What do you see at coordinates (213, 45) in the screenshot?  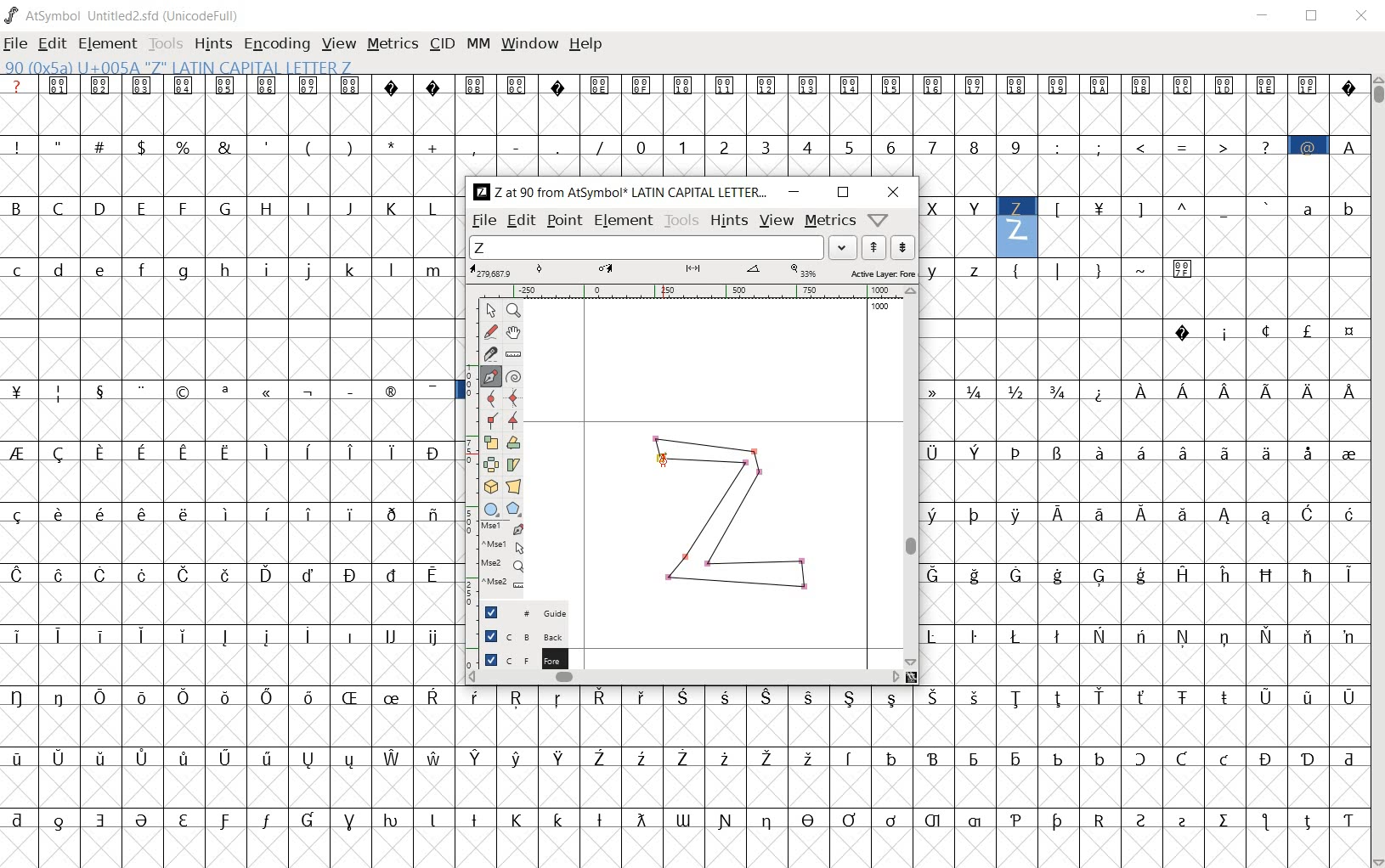 I see `hints` at bounding box center [213, 45].